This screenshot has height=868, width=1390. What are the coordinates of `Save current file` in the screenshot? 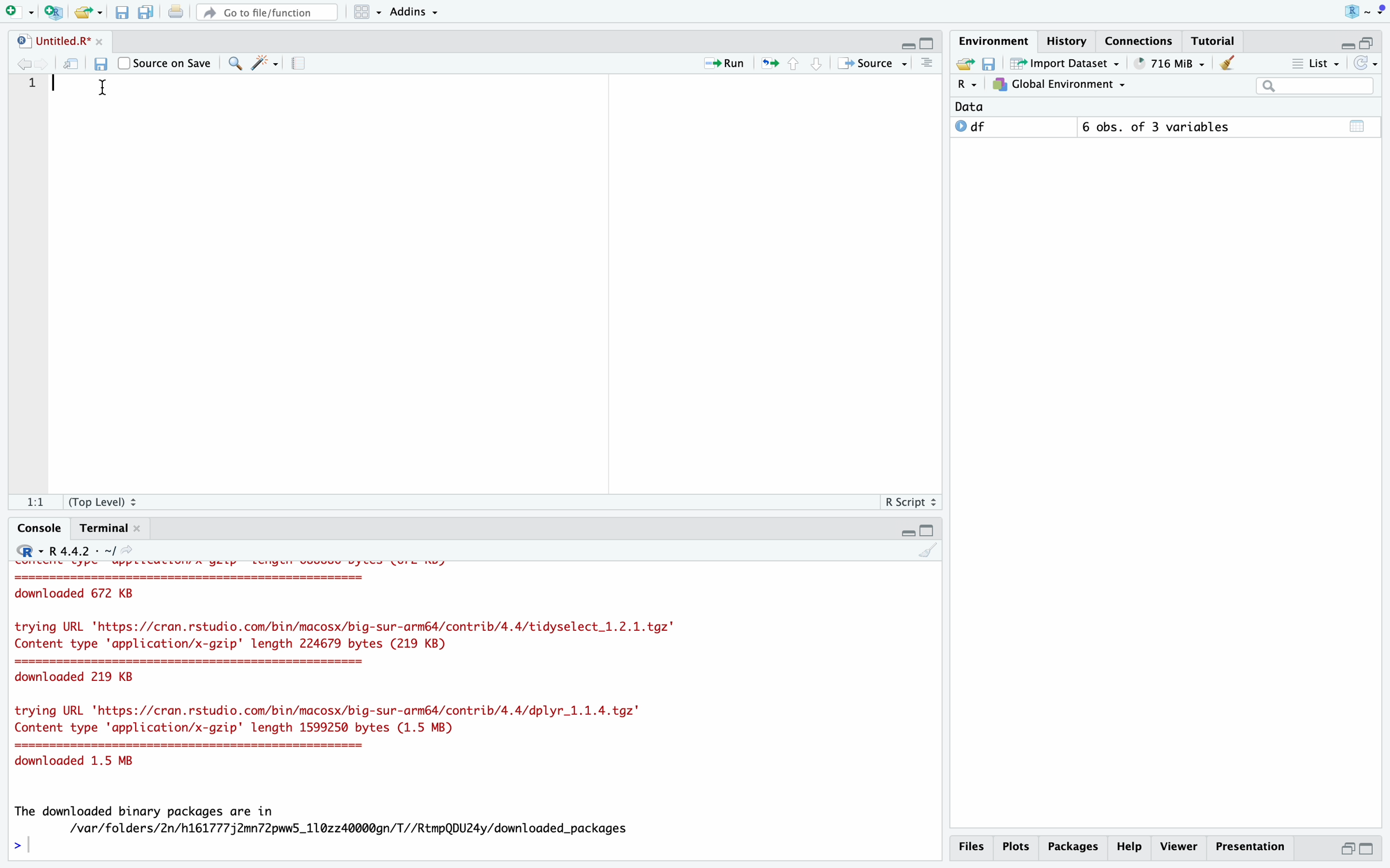 It's located at (123, 13).